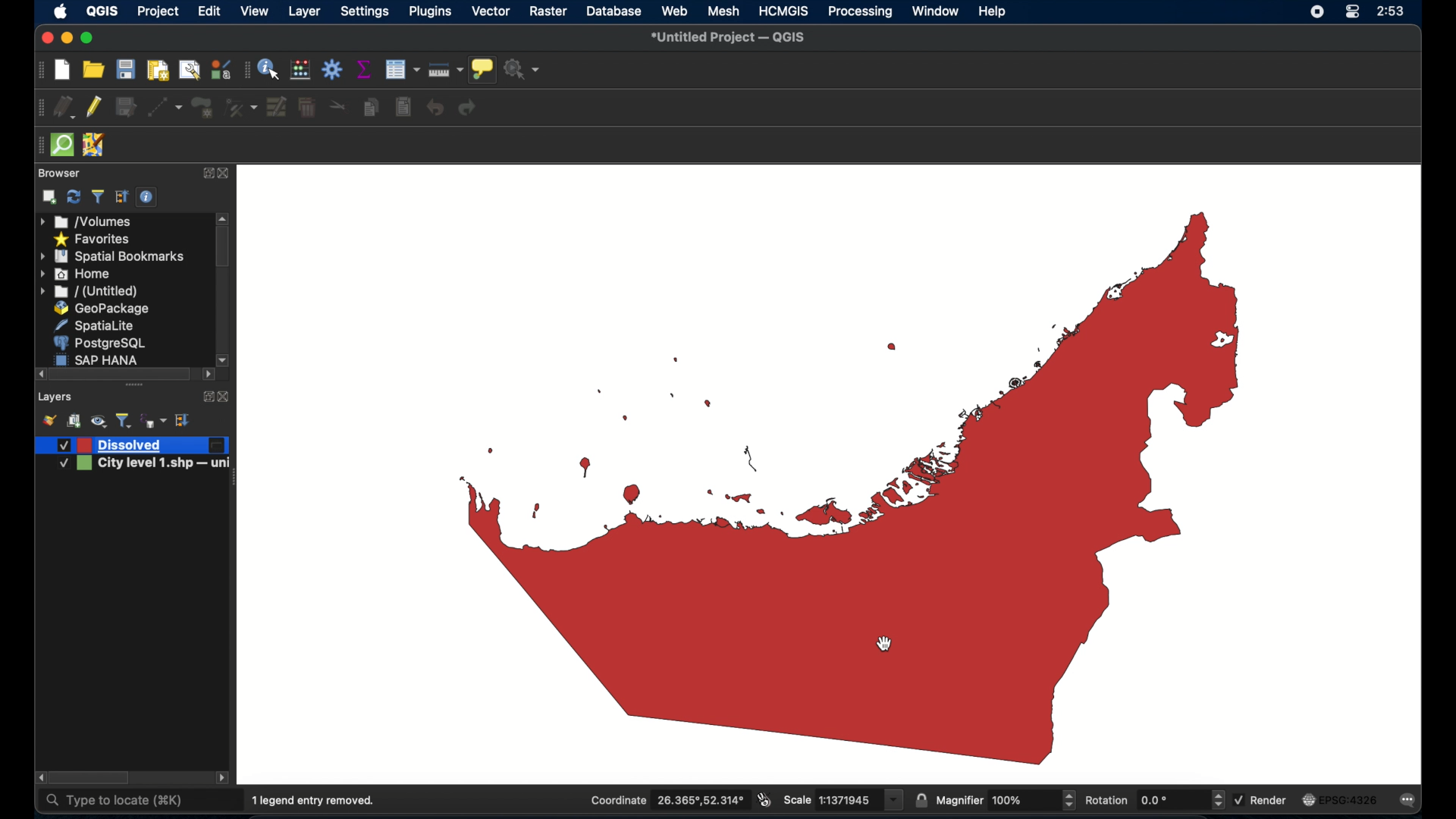  Describe the element at coordinates (485, 71) in the screenshot. I see `show map tips` at that location.